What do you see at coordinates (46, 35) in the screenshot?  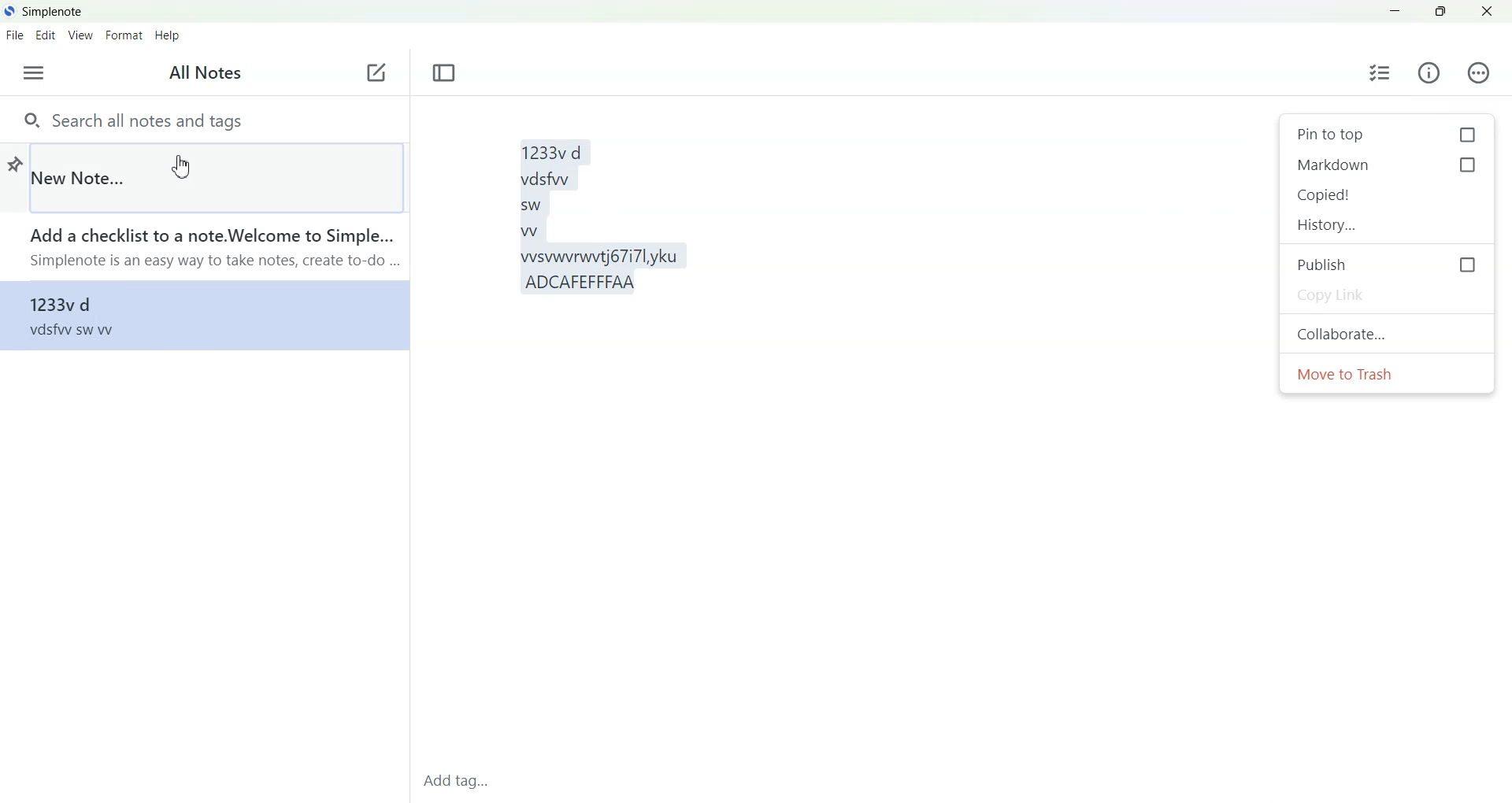 I see `Edit` at bounding box center [46, 35].